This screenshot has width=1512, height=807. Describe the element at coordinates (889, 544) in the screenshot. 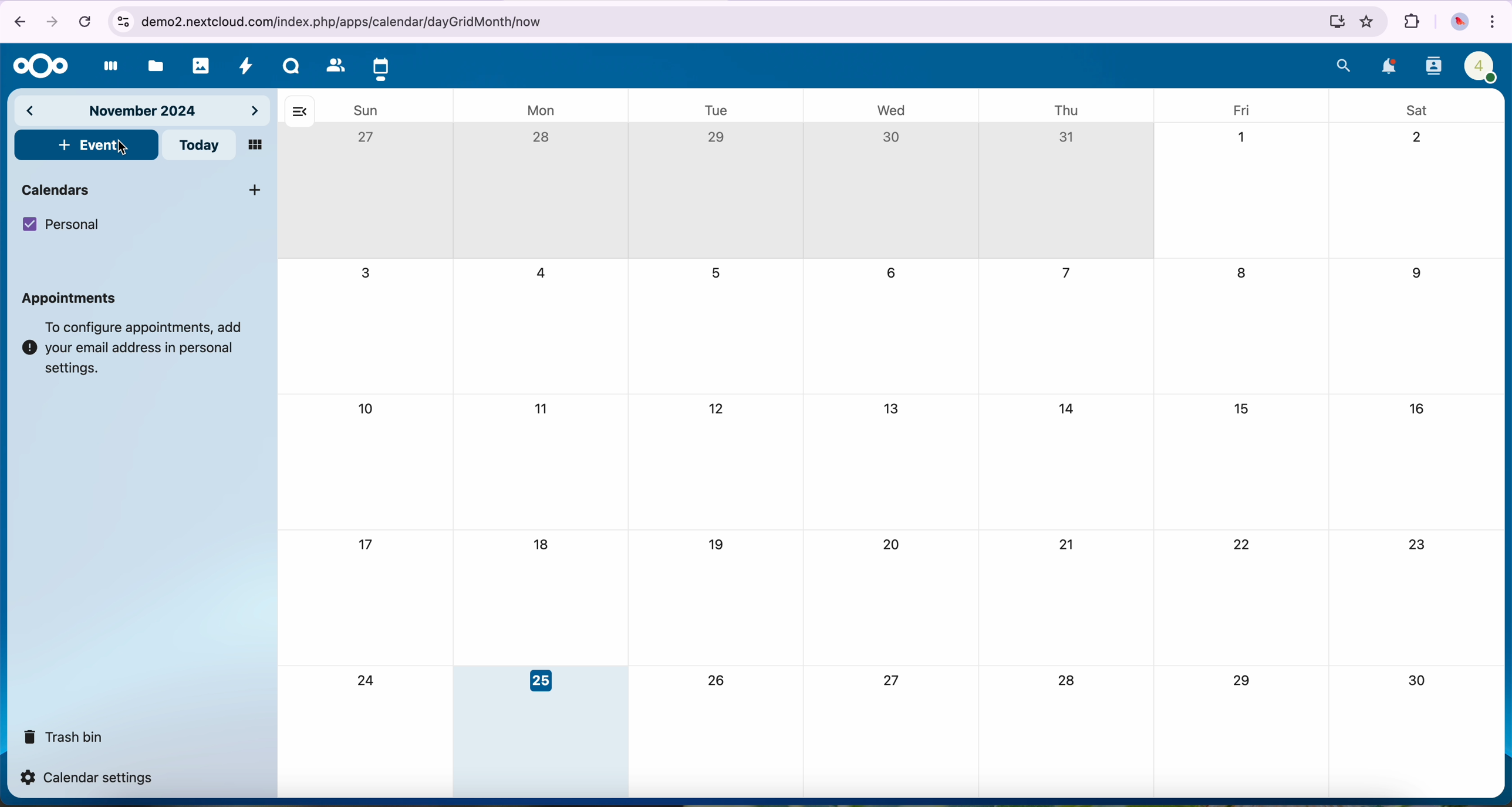

I see `20` at that location.